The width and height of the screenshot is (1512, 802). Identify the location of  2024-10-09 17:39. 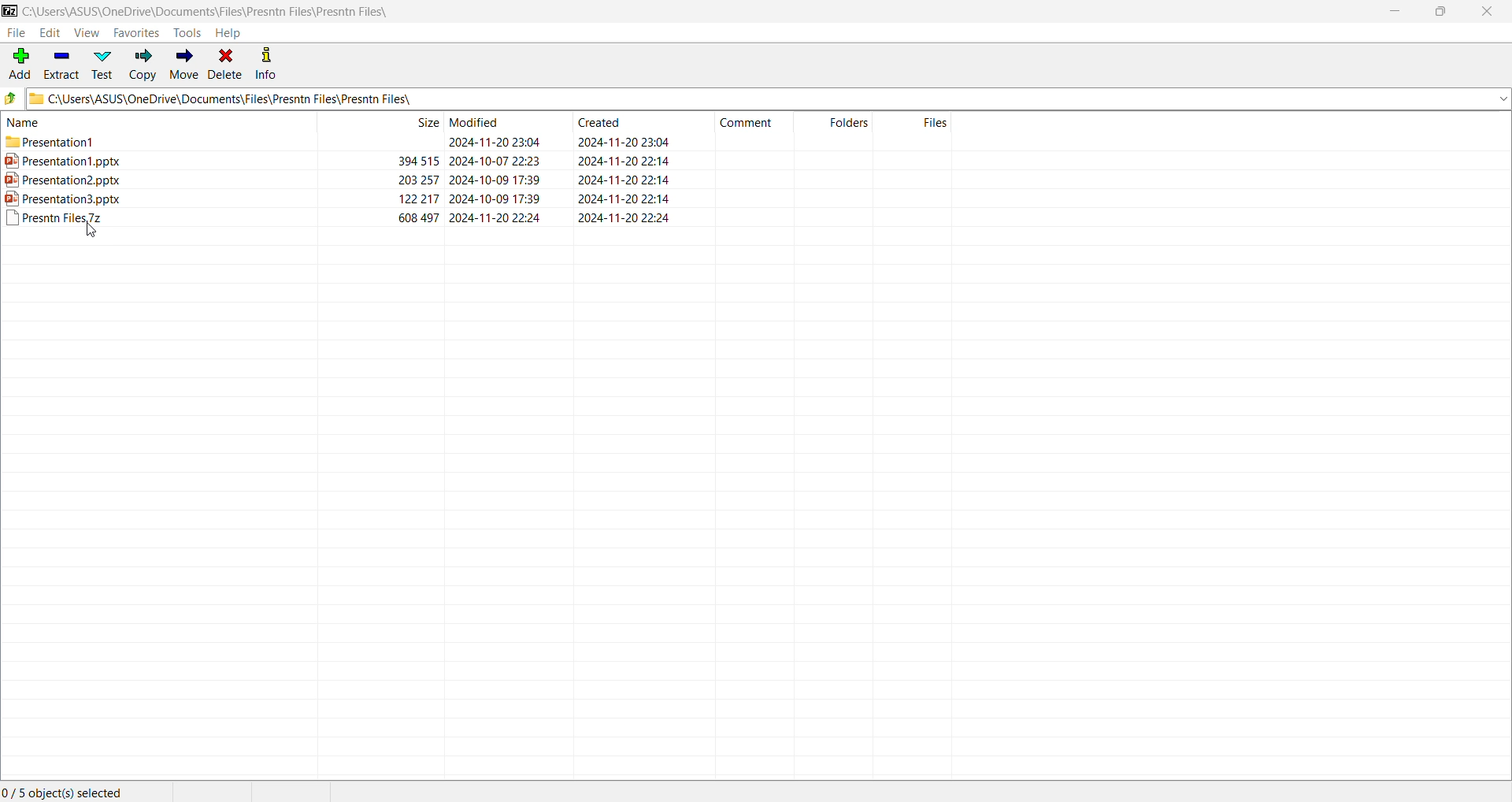
(500, 199).